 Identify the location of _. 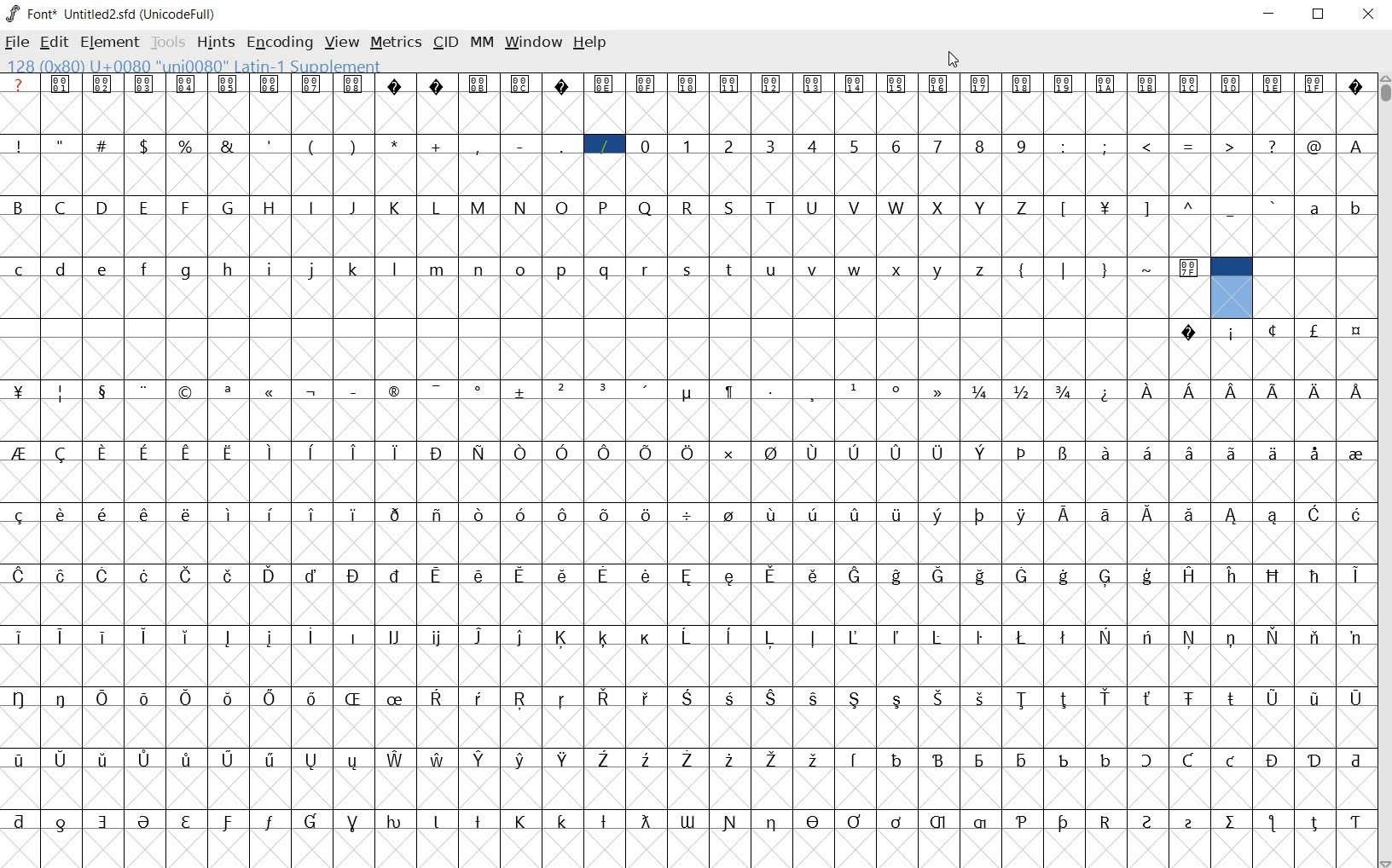
(1232, 208).